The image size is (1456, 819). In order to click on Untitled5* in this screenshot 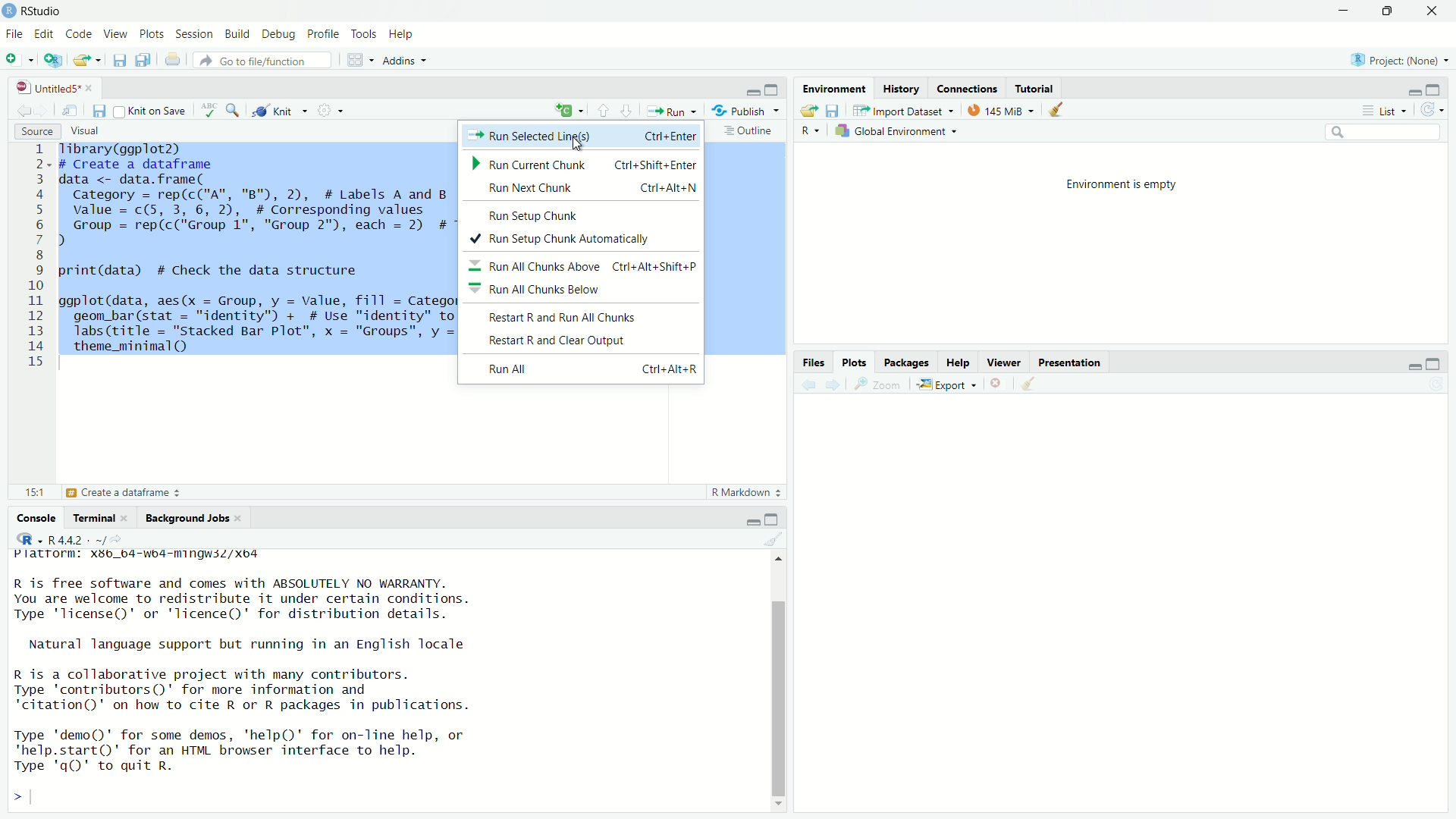, I will do `click(52, 86)`.